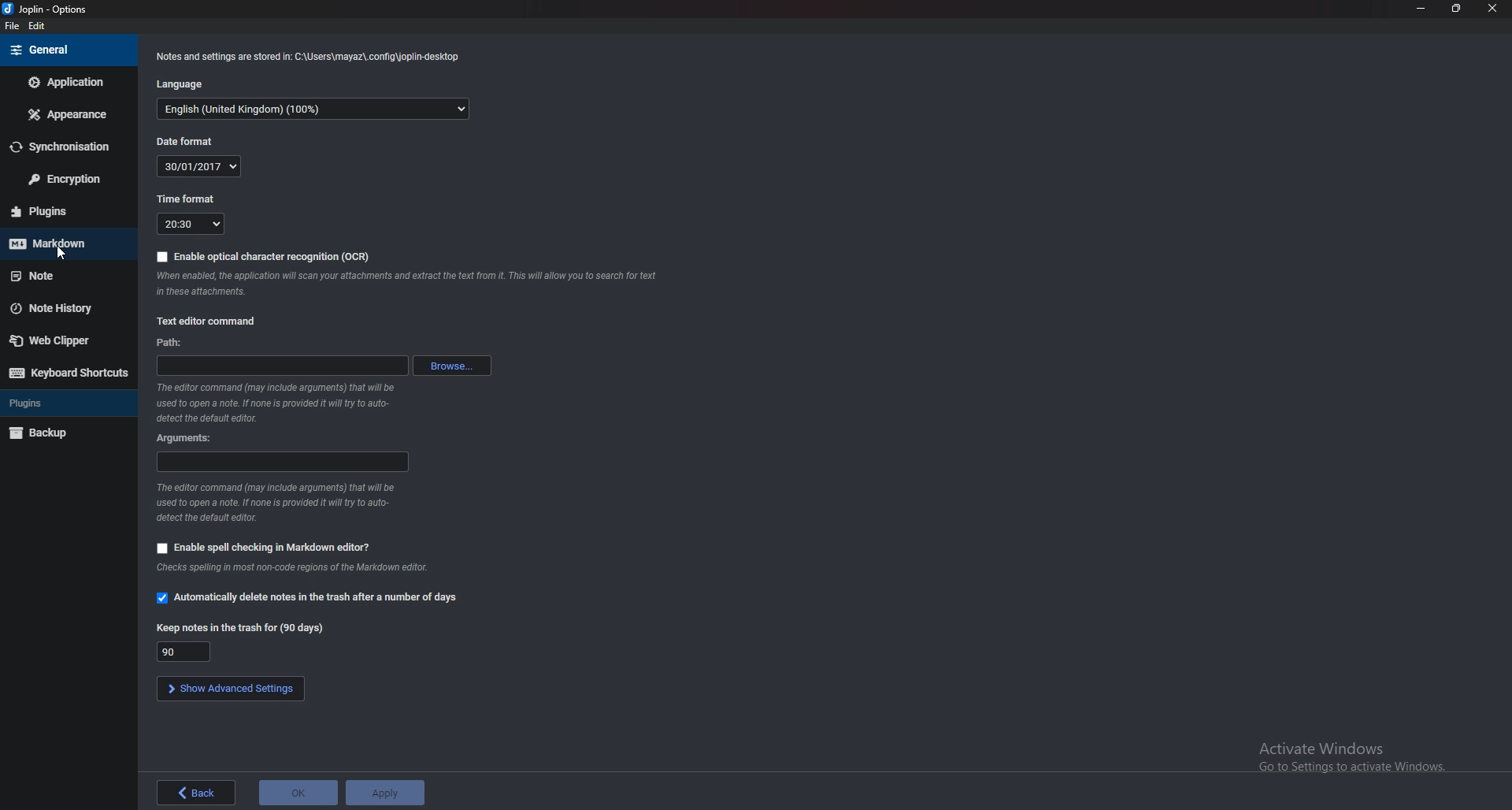 This screenshot has width=1512, height=810. Describe the element at coordinates (1492, 9) in the screenshot. I see `close` at that location.